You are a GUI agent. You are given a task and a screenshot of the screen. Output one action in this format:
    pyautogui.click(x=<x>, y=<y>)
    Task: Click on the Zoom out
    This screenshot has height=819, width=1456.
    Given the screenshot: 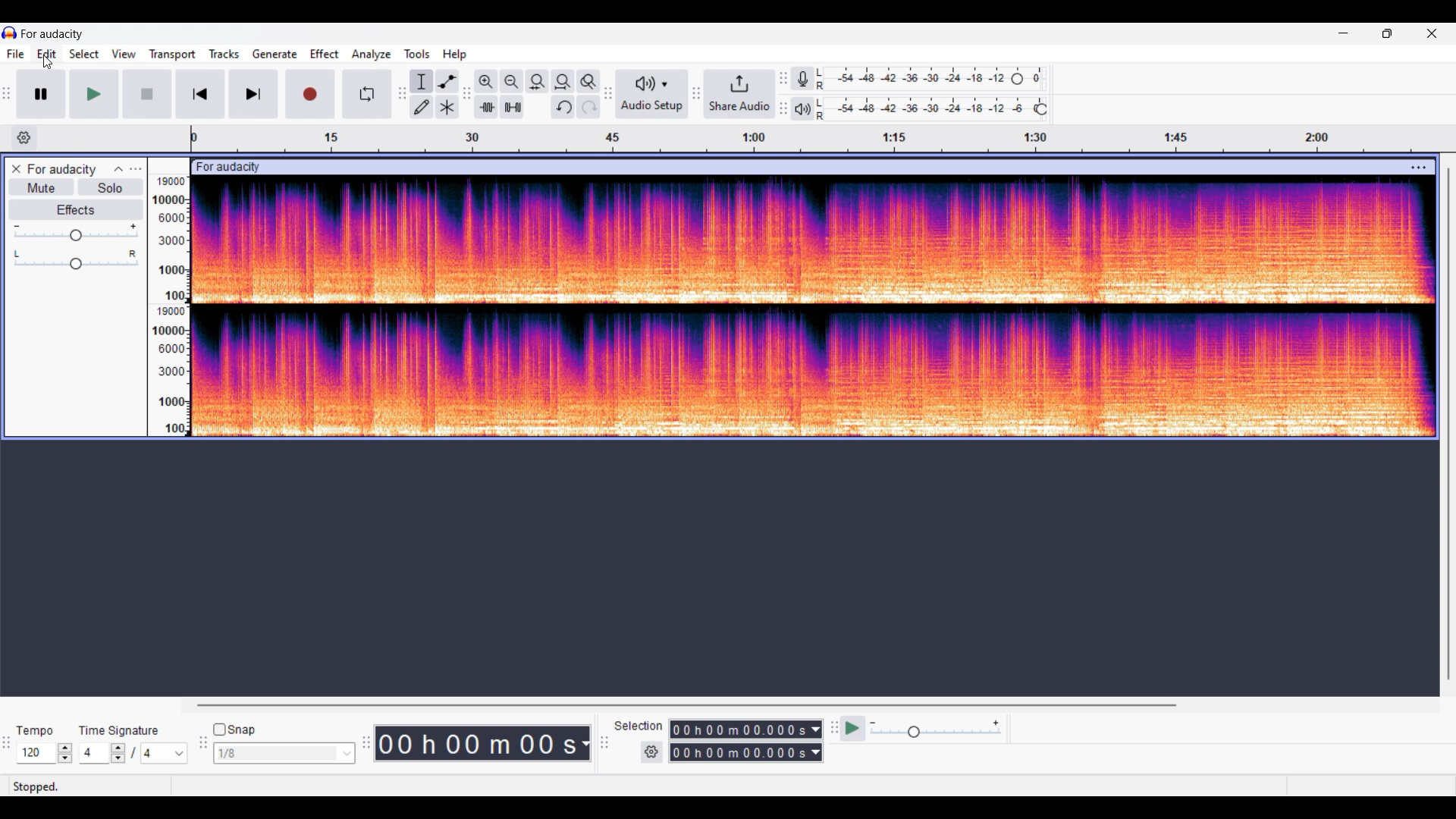 What is the action you would take?
    pyautogui.click(x=513, y=82)
    